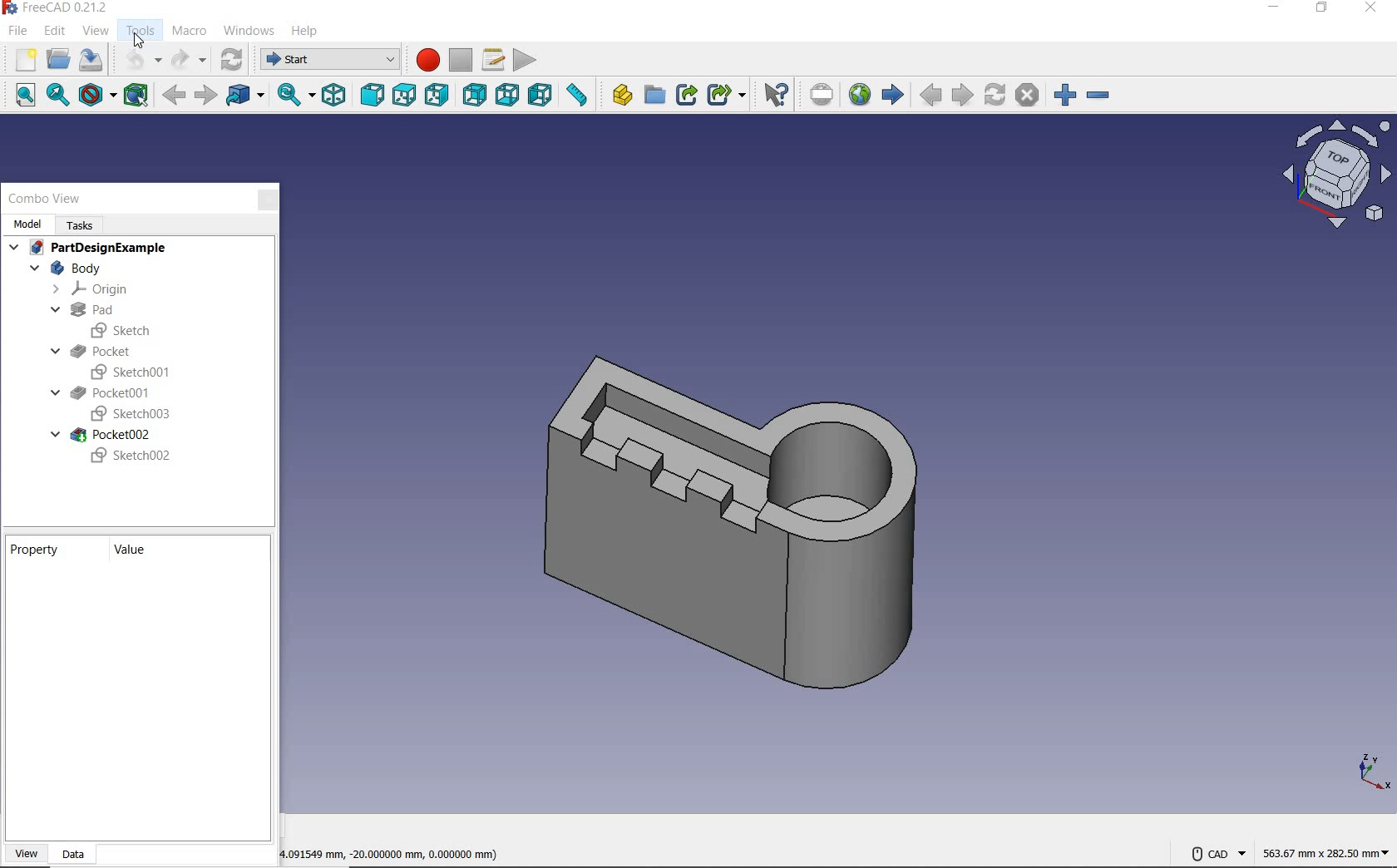 The image size is (1397, 868). I want to click on Body, so click(73, 269).